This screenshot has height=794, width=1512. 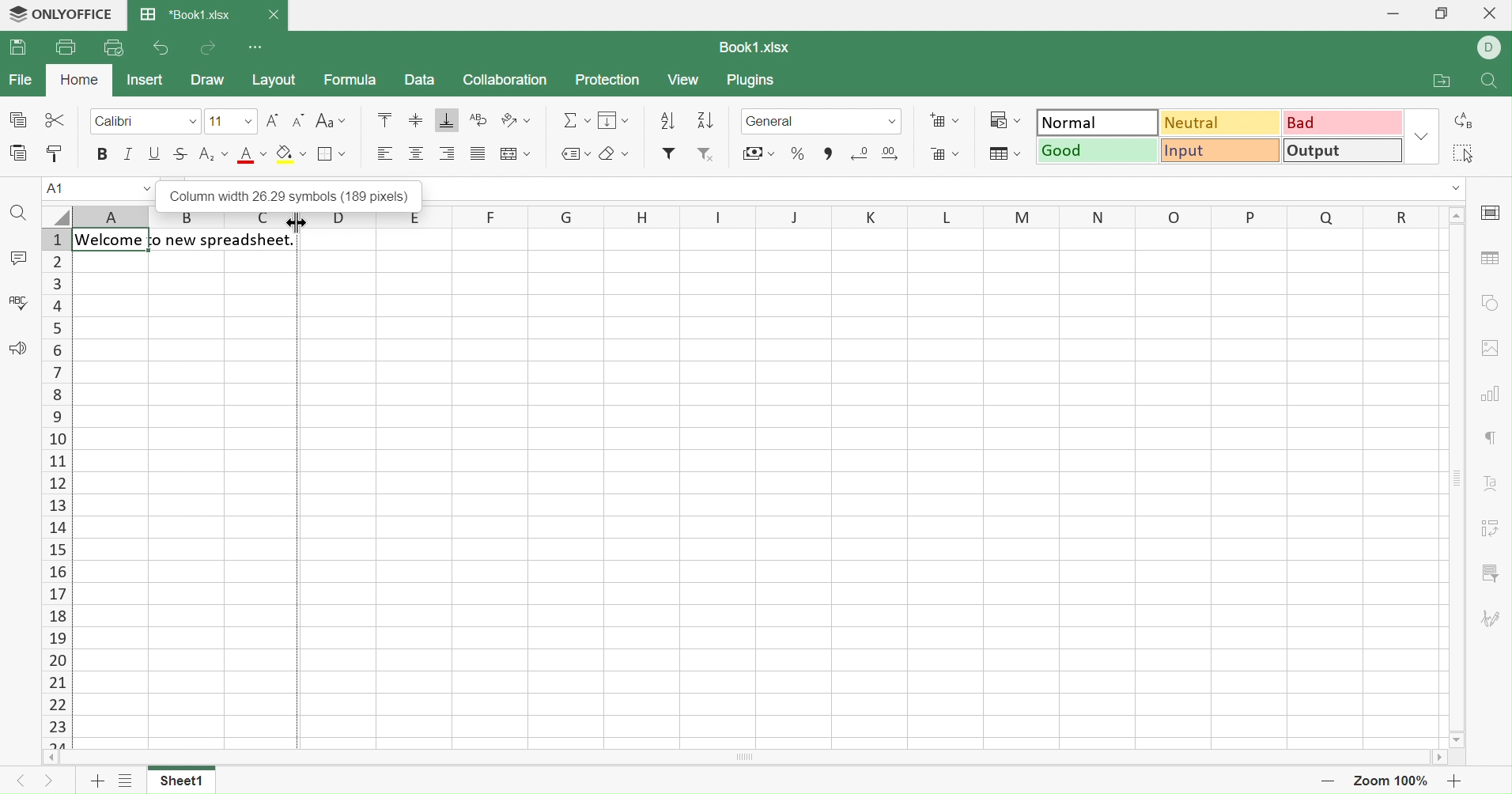 What do you see at coordinates (1345, 121) in the screenshot?
I see `Bad` at bounding box center [1345, 121].